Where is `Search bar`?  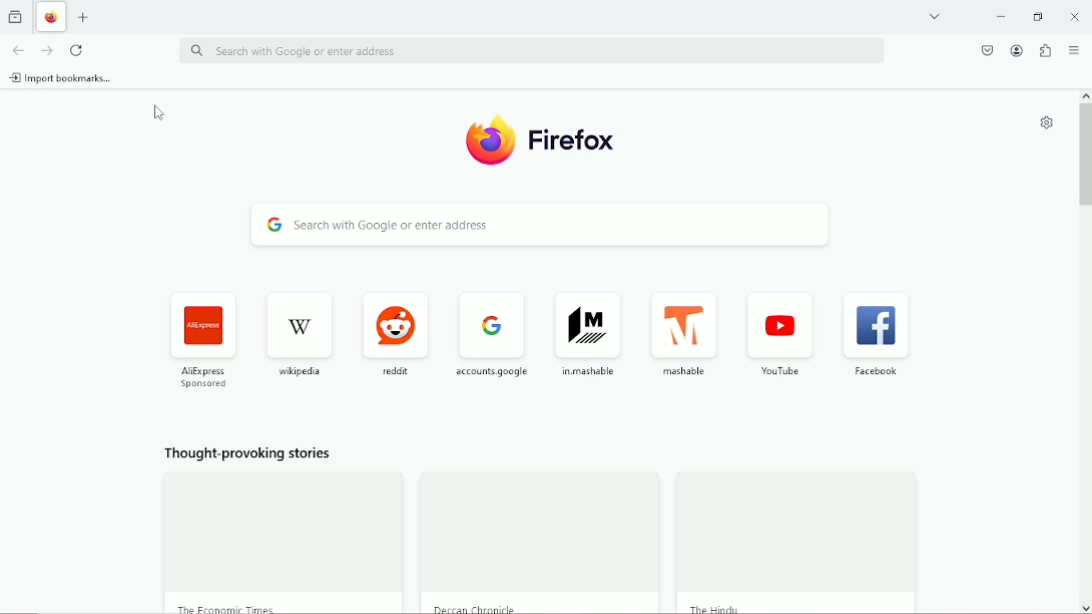 Search bar is located at coordinates (529, 51).